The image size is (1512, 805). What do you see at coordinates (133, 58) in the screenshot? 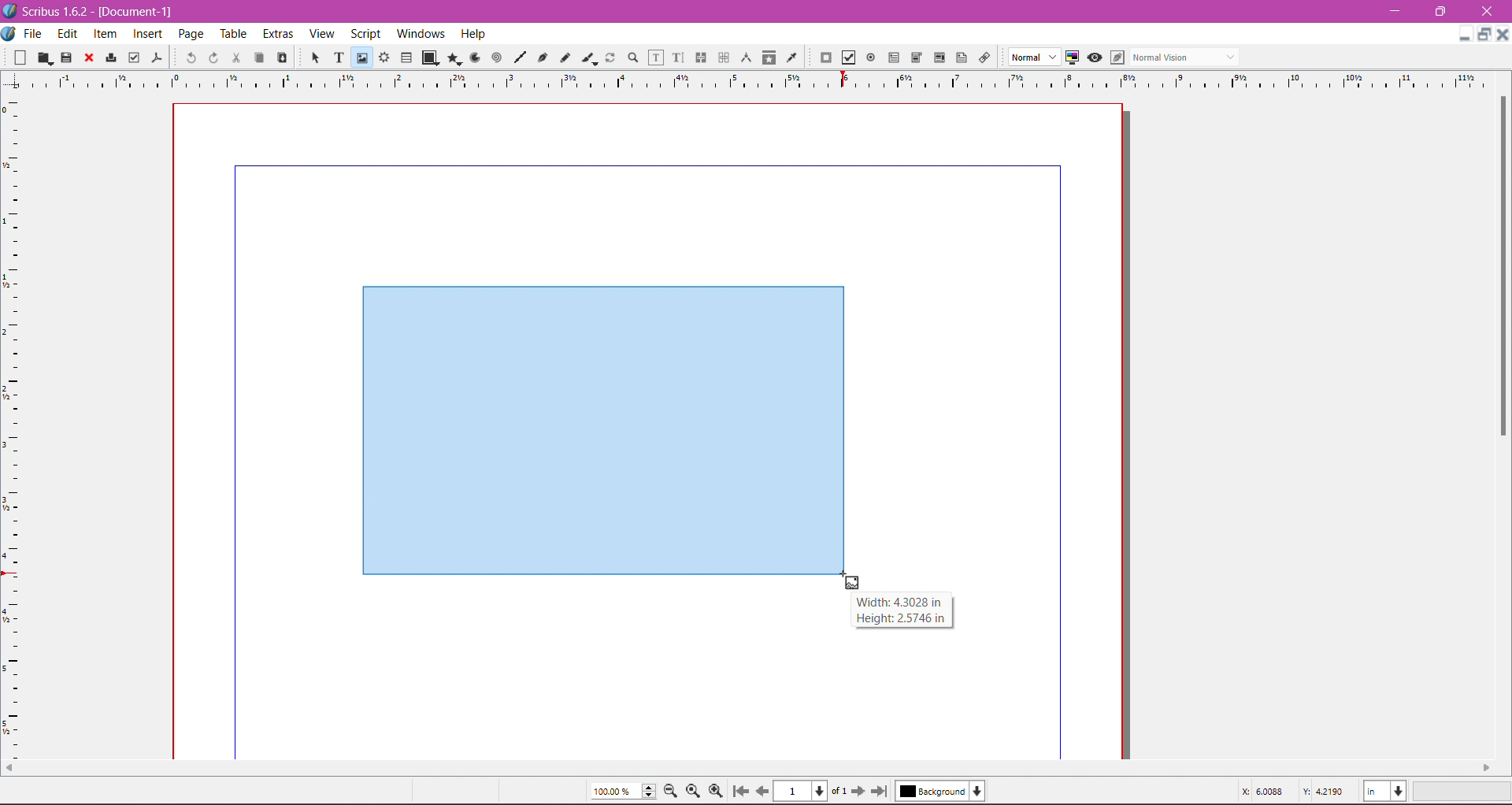
I see `Preflight Verifier` at bounding box center [133, 58].